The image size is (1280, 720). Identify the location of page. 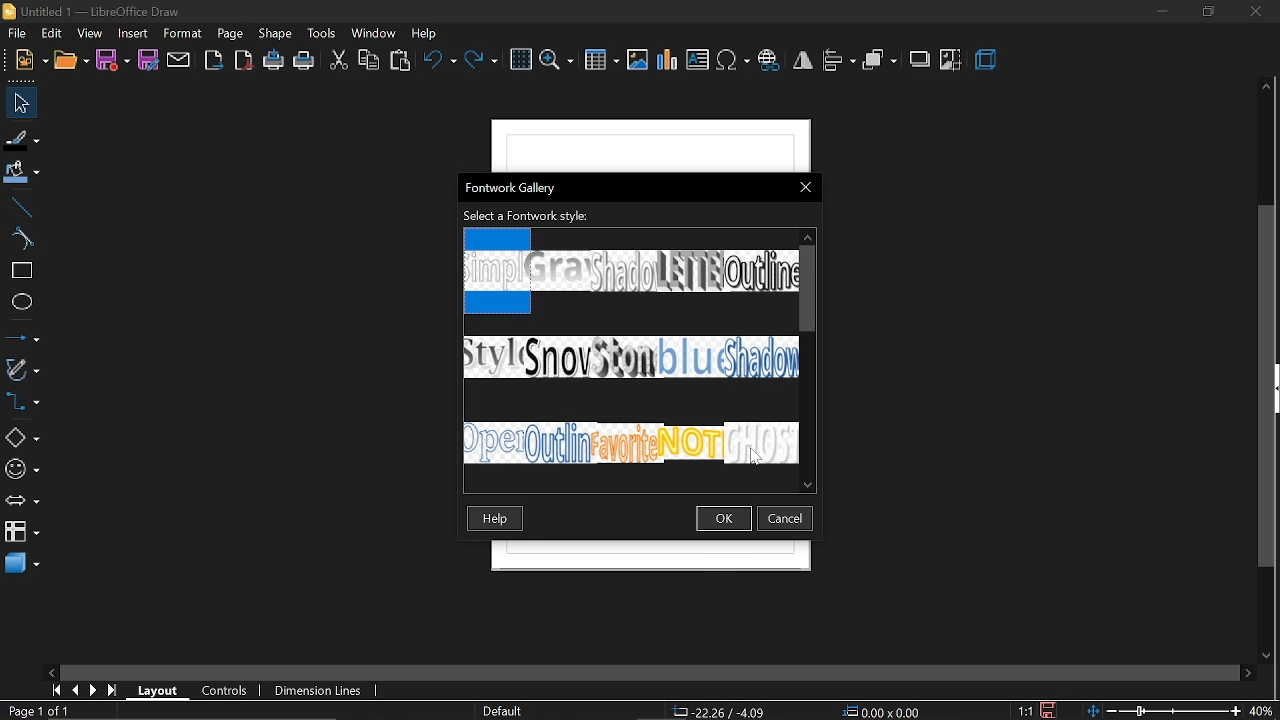
(230, 34).